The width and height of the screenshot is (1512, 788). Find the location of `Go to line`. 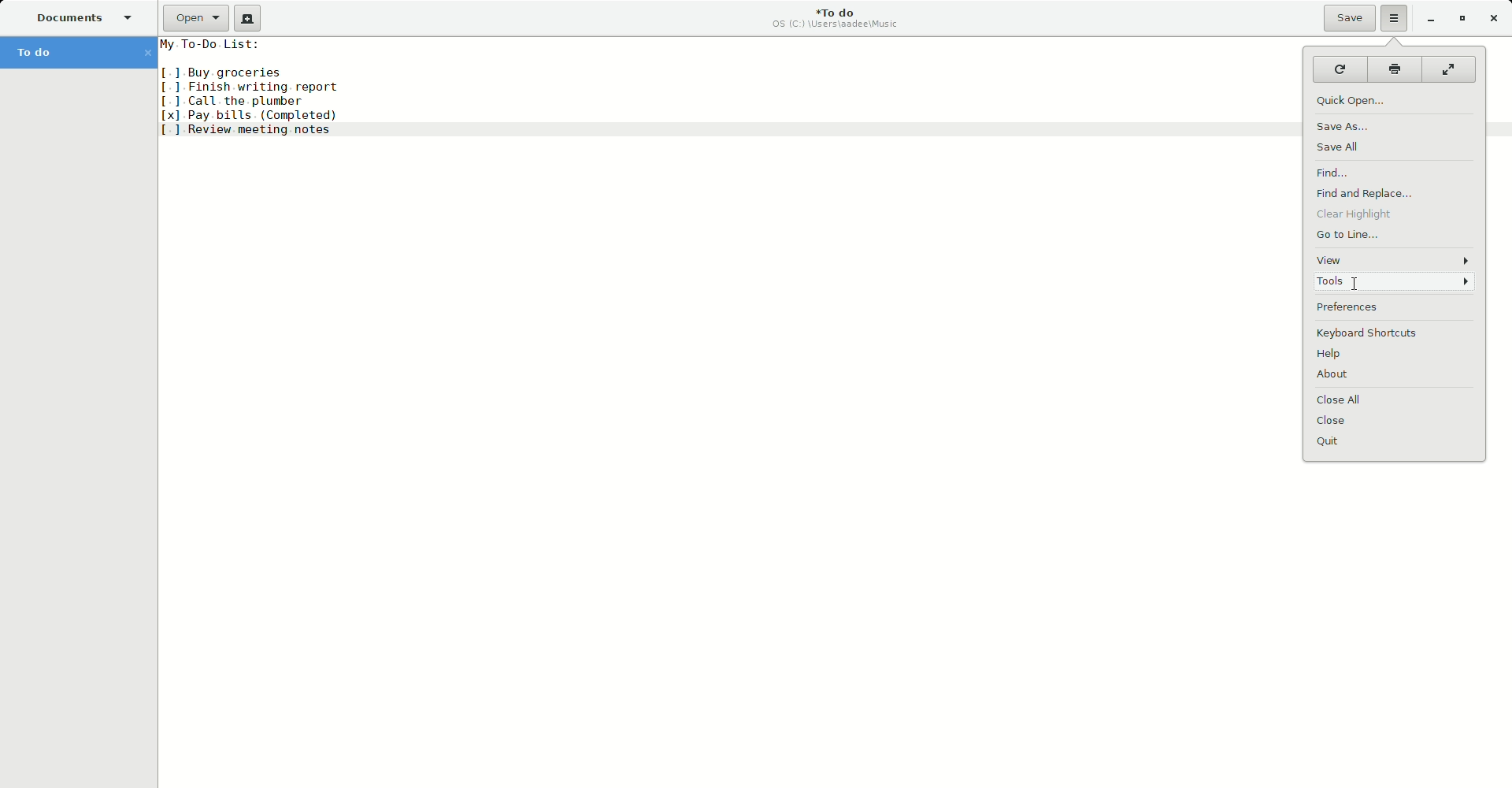

Go to line is located at coordinates (1347, 236).